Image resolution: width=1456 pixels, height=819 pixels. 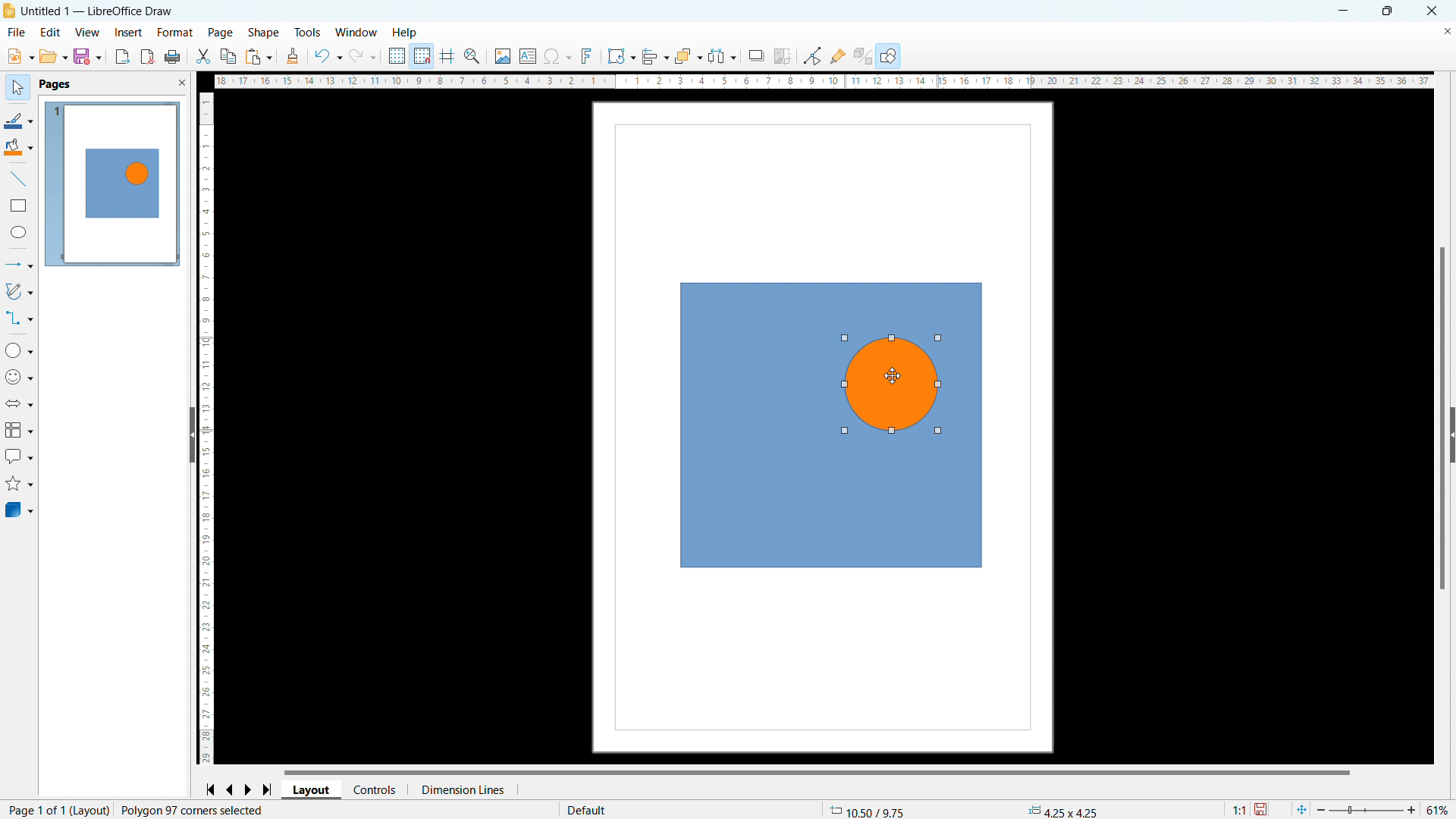 I want to click on export directly as pdf, so click(x=146, y=56).